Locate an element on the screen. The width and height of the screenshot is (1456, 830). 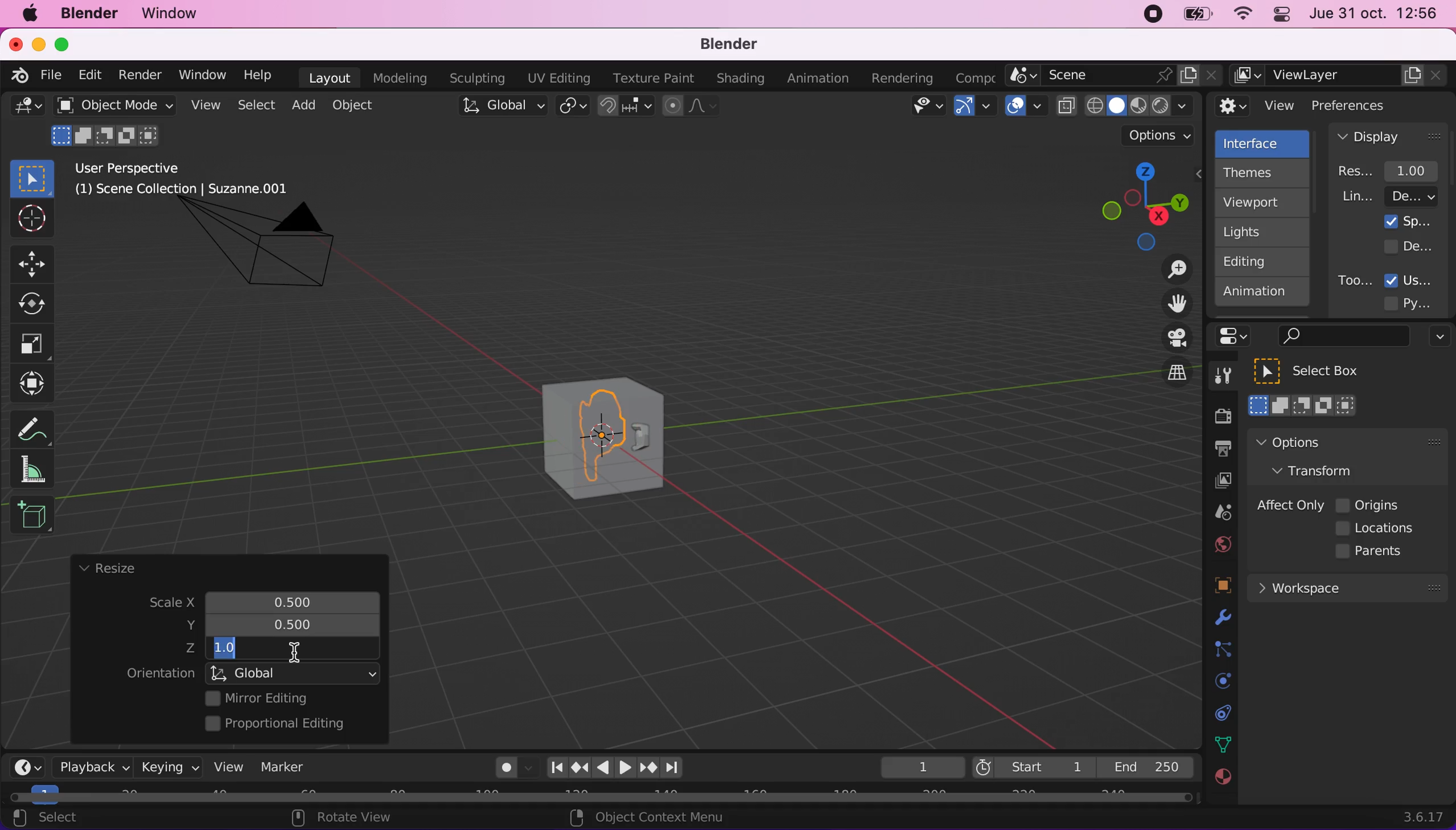
window is located at coordinates (175, 14).